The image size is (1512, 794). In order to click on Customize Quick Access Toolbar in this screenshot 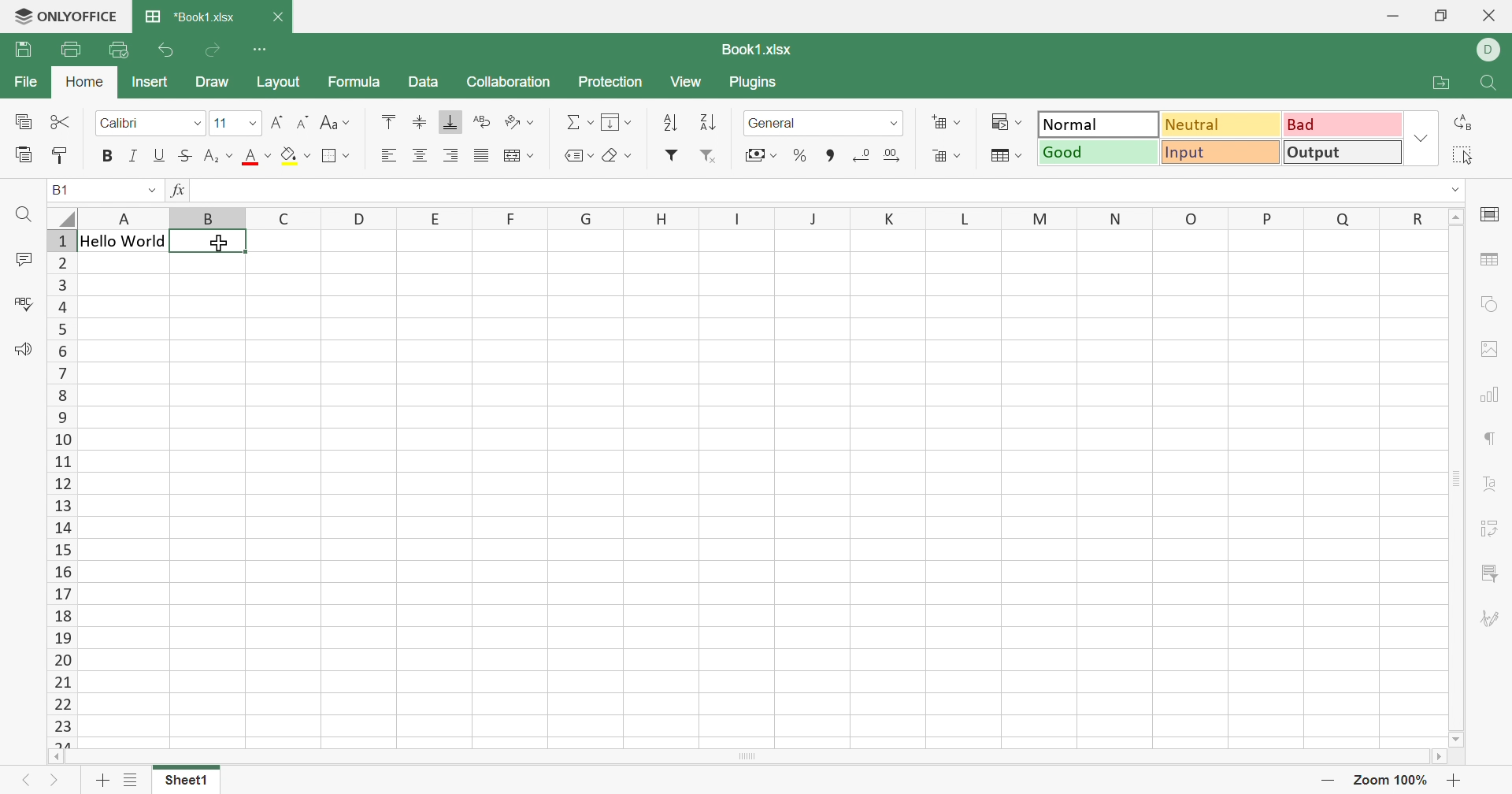, I will do `click(260, 49)`.